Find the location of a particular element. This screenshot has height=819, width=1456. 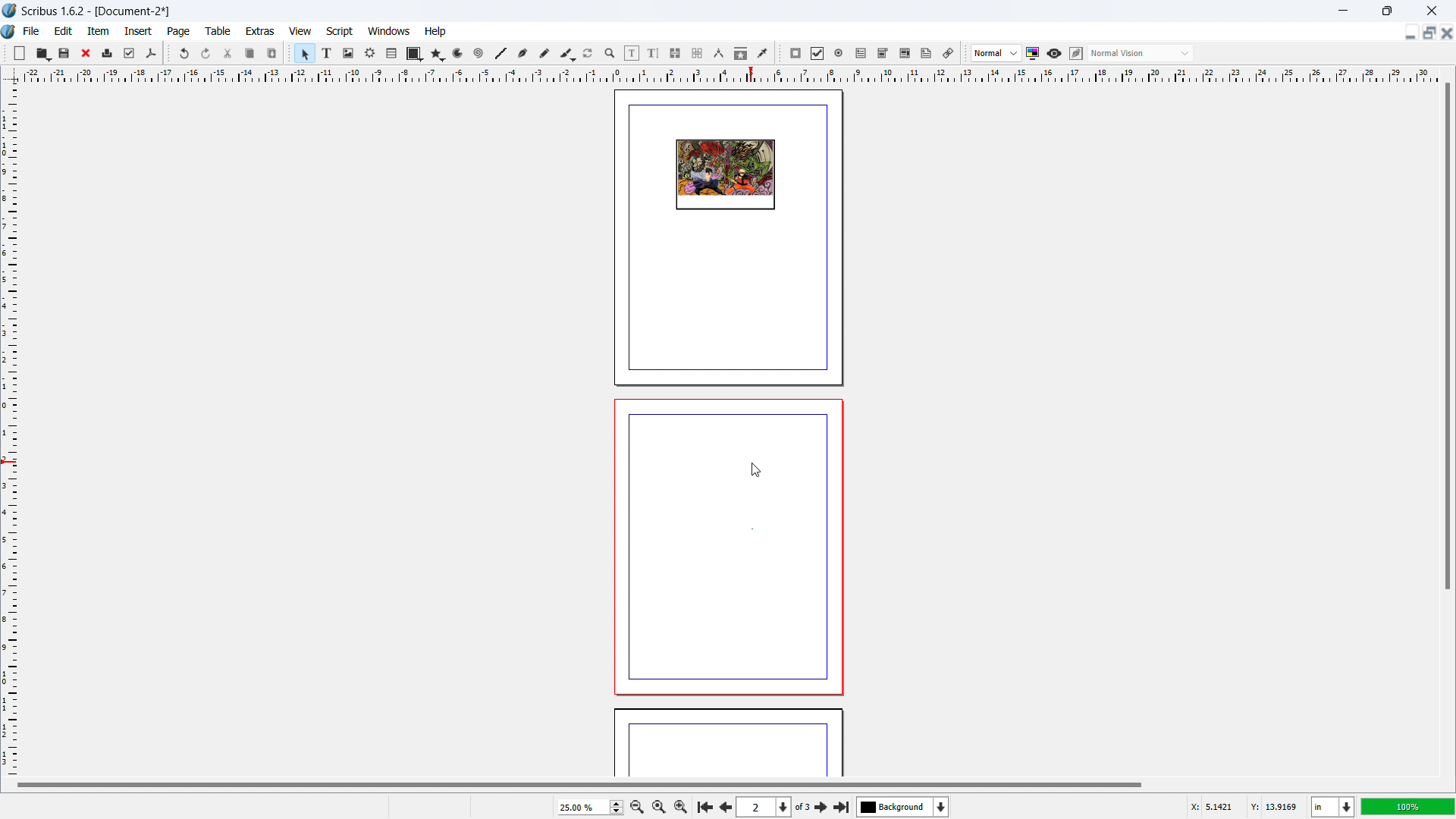

edit in preview mode is located at coordinates (1075, 54).